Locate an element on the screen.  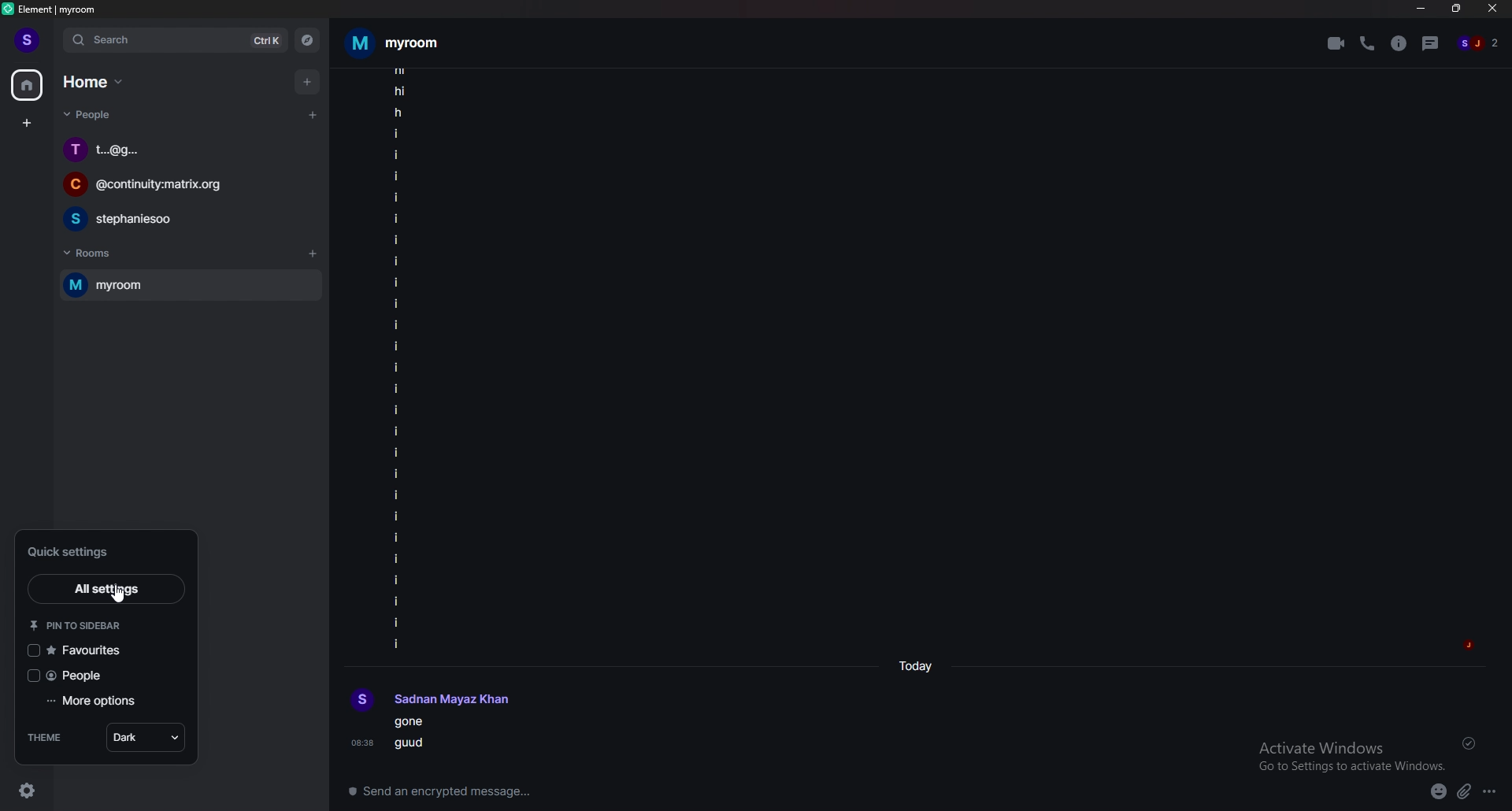
time is located at coordinates (920, 667).